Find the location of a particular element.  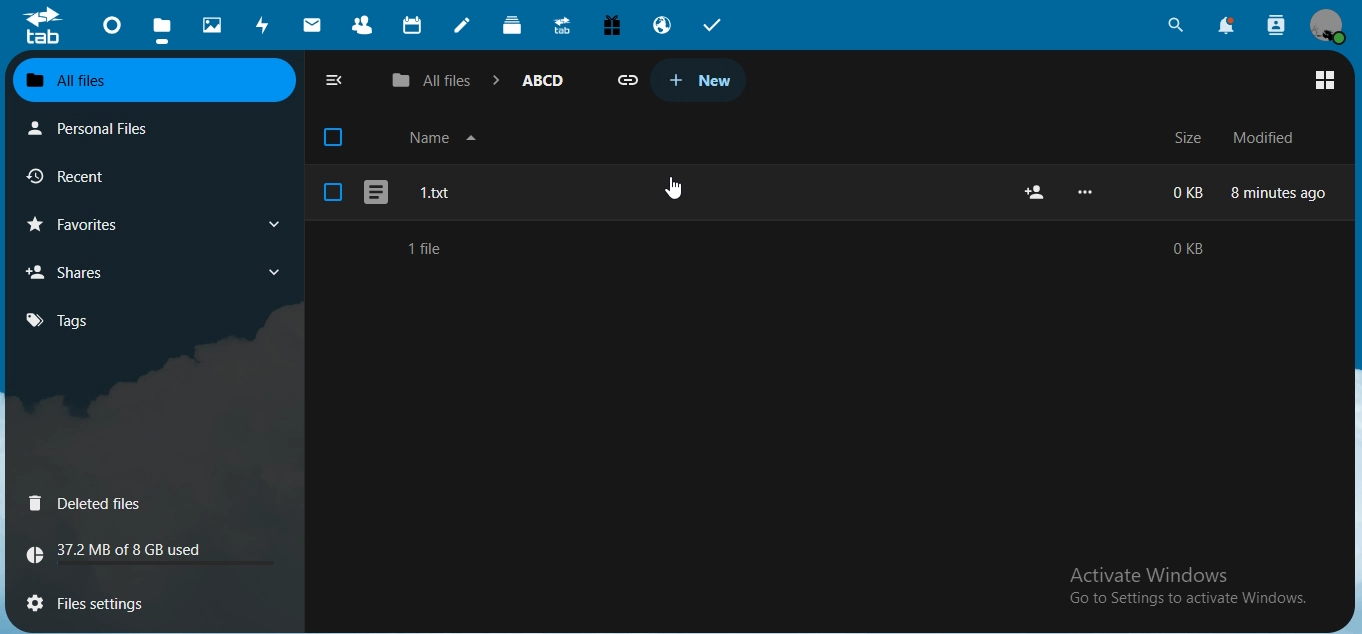

name is located at coordinates (445, 136).